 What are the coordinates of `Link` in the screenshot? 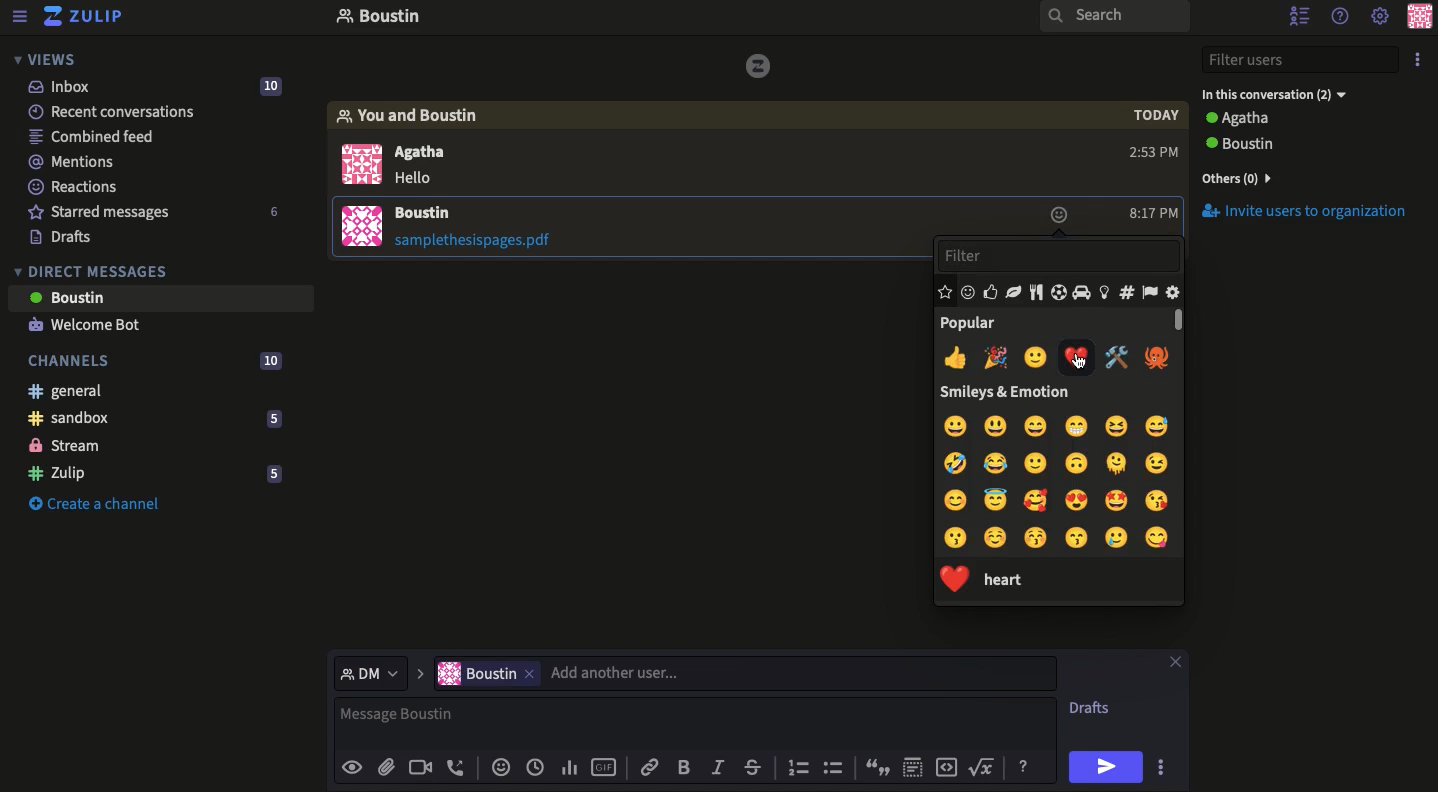 It's located at (648, 766).